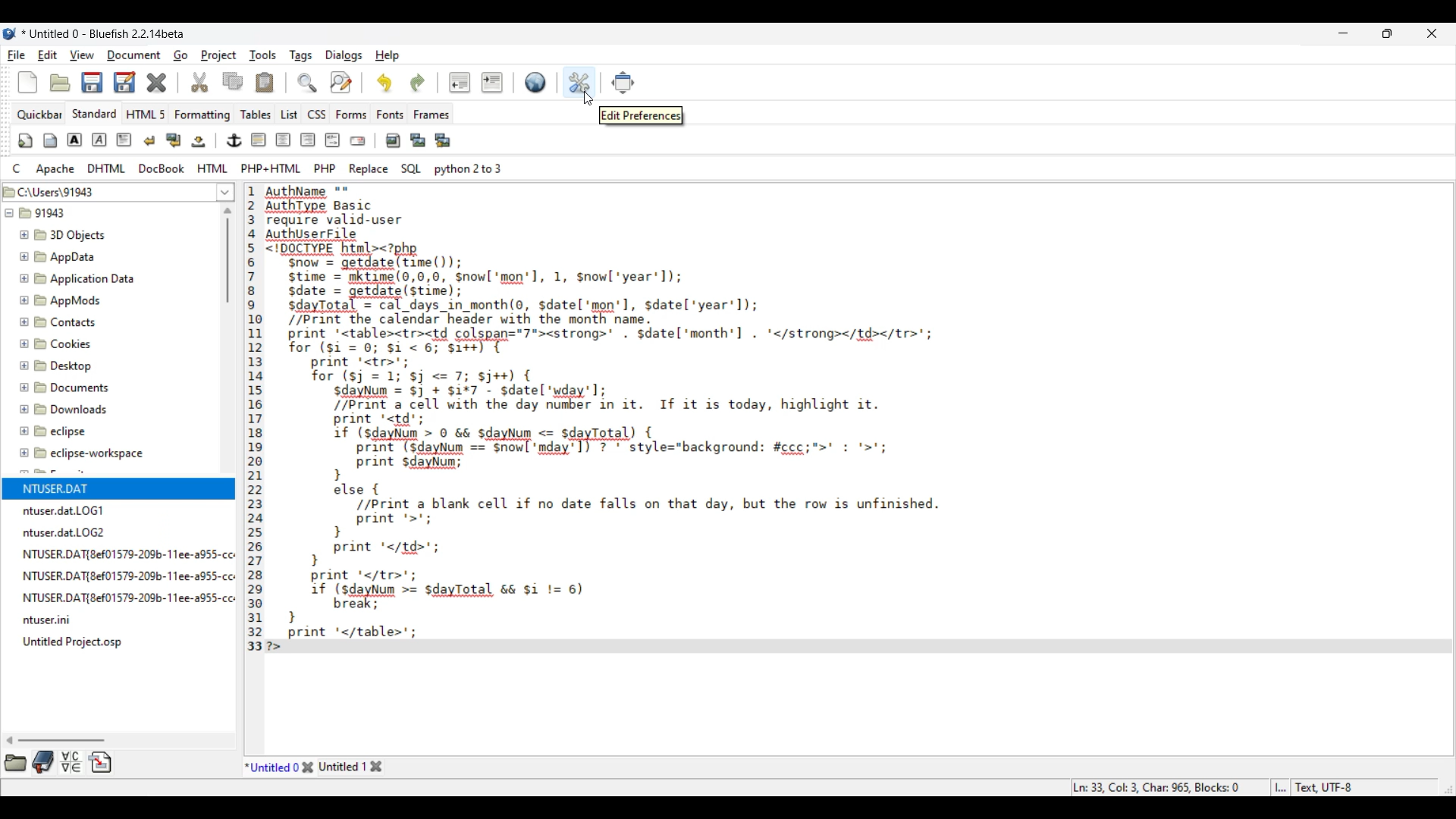  What do you see at coordinates (1344, 33) in the screenshot?
I see `Minimize` at bounding box center [1344, 33].